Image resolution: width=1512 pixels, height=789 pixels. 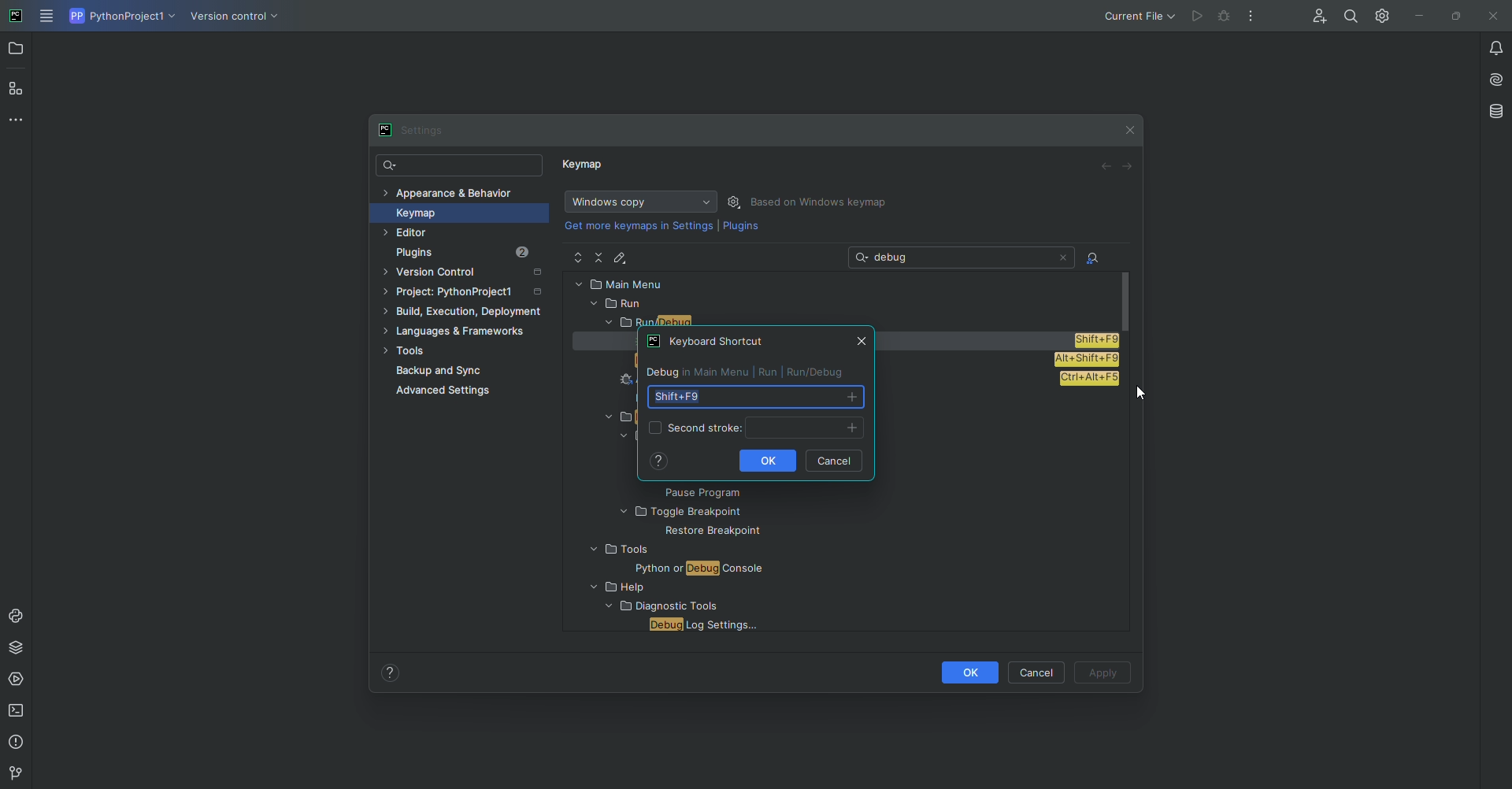 I want to click on Problems, so click(x=18, y=743).